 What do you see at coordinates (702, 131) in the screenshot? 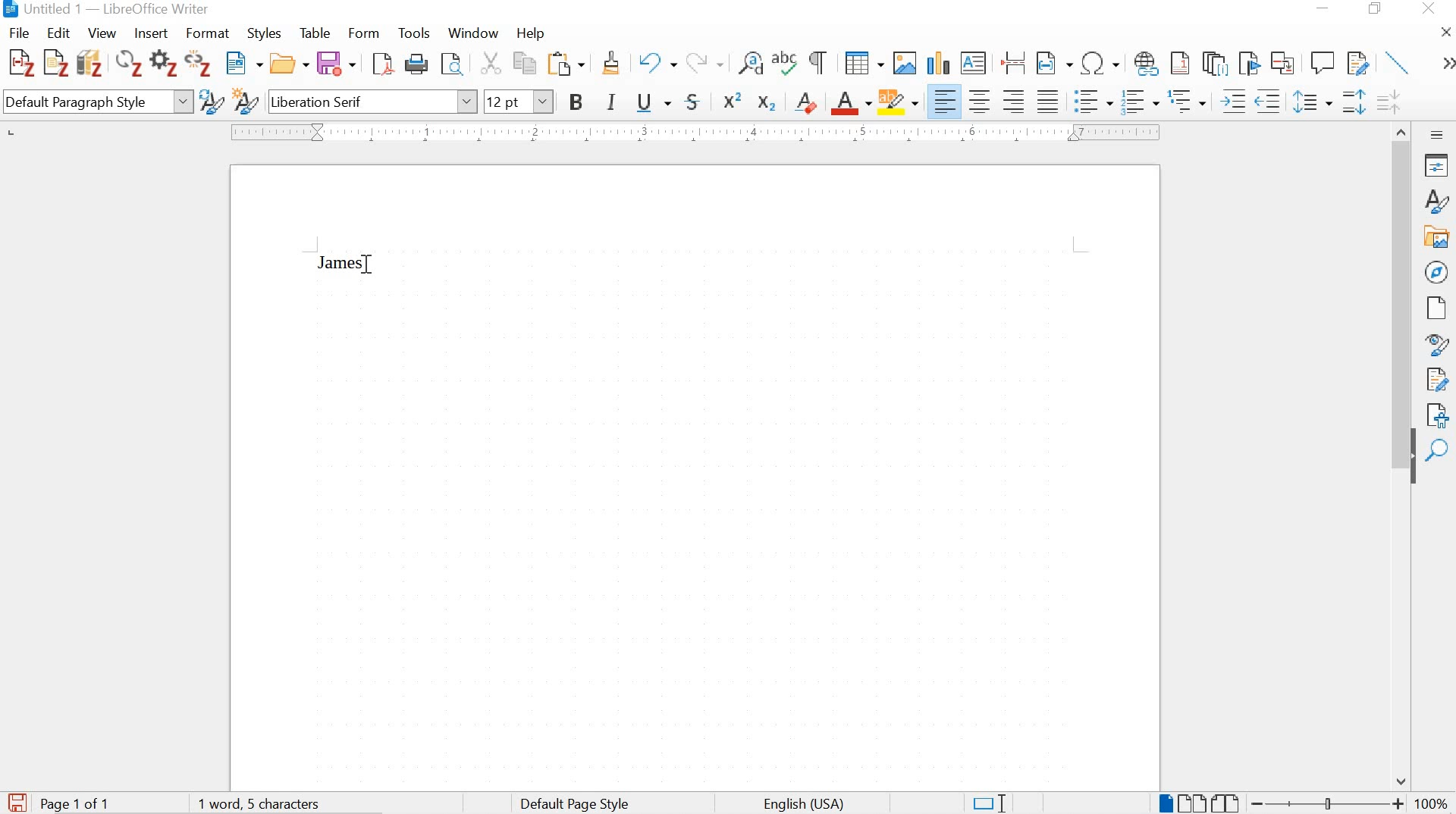
I see `ruler` at bounding box center [702, 131].